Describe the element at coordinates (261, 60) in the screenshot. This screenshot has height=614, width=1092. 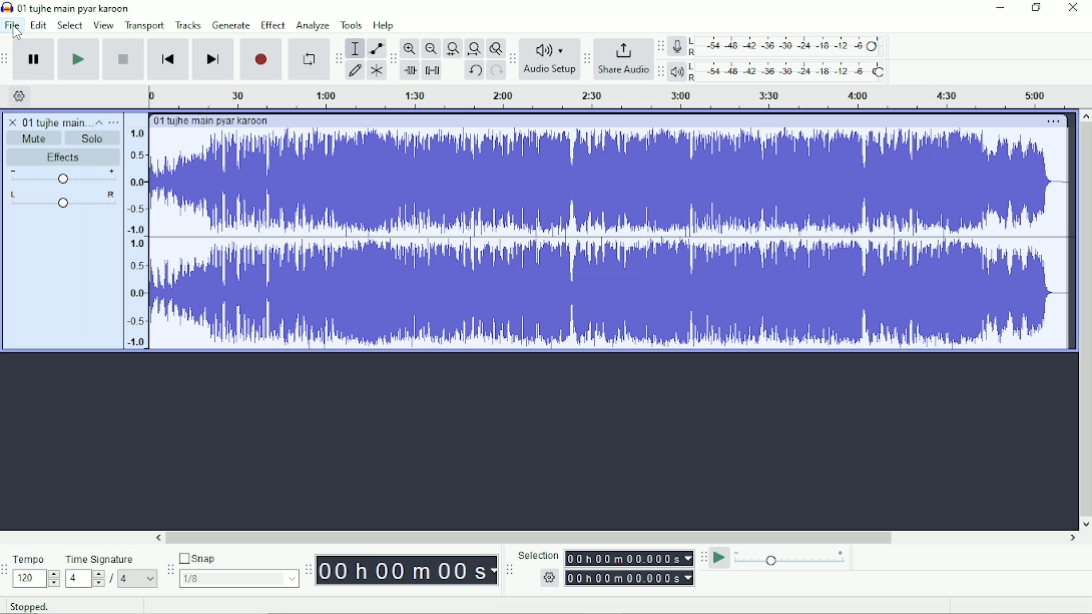
I see `Record` at that location.